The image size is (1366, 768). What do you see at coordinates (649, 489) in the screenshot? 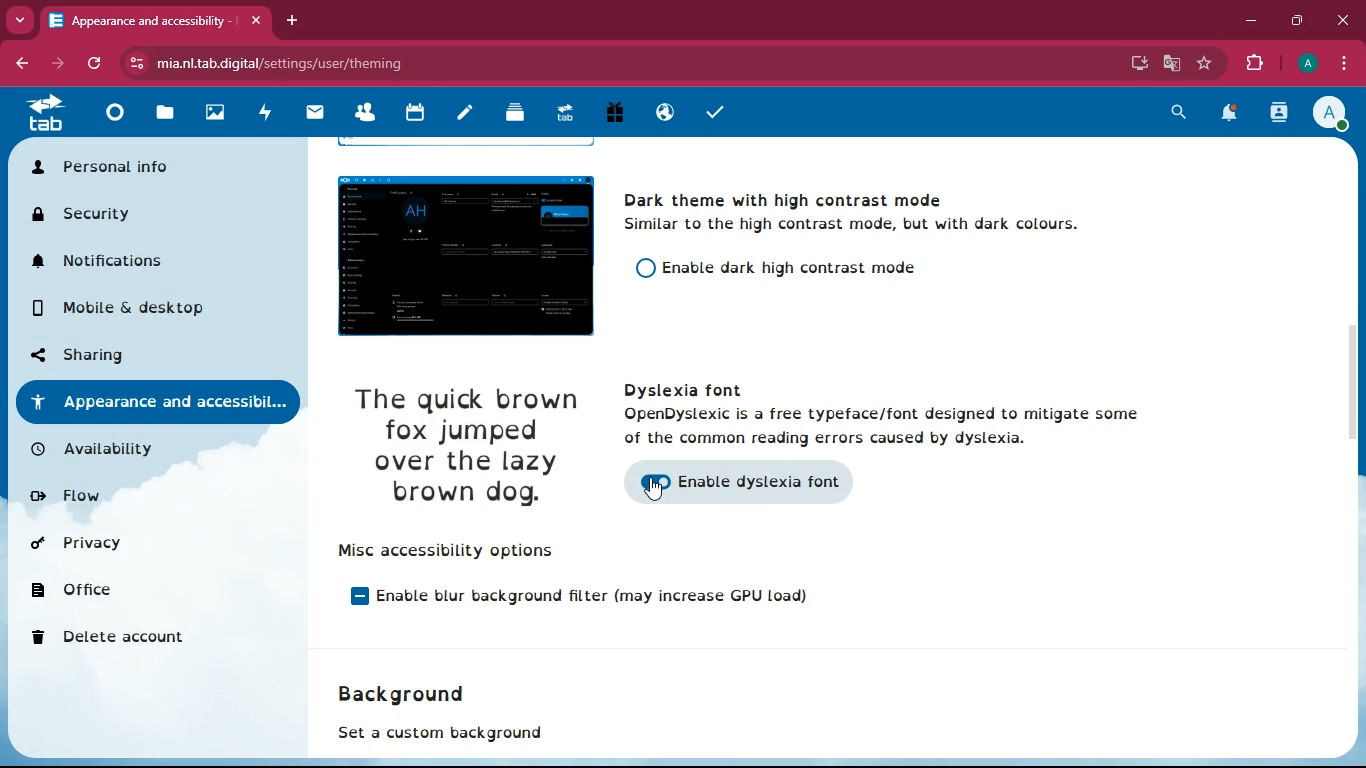
I see `cursor` at bounding box center [649, 489].